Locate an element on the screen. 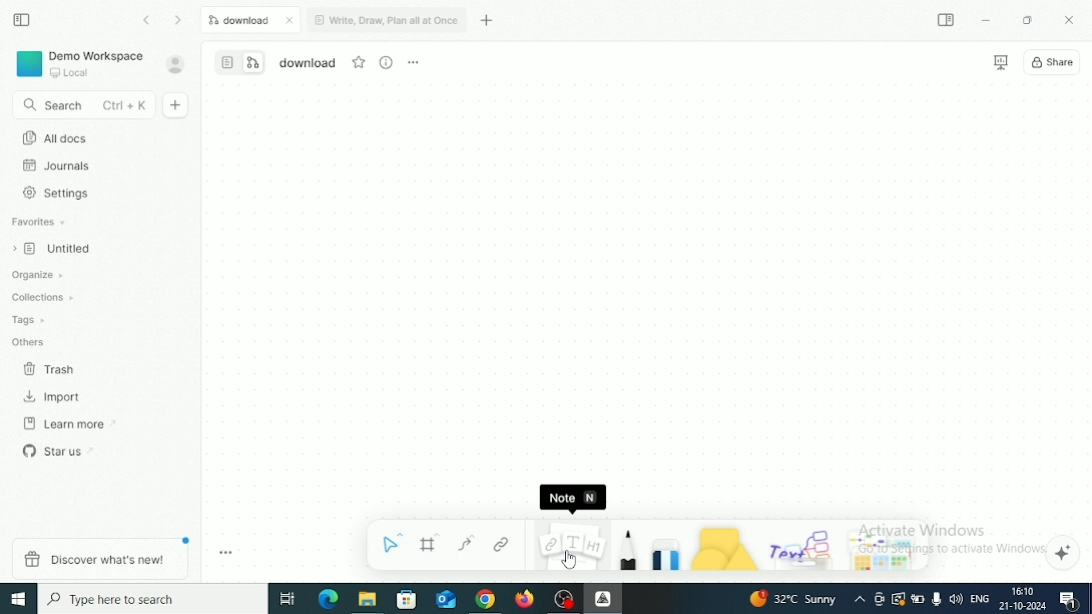  Shape is located at coordinates (726, 547).